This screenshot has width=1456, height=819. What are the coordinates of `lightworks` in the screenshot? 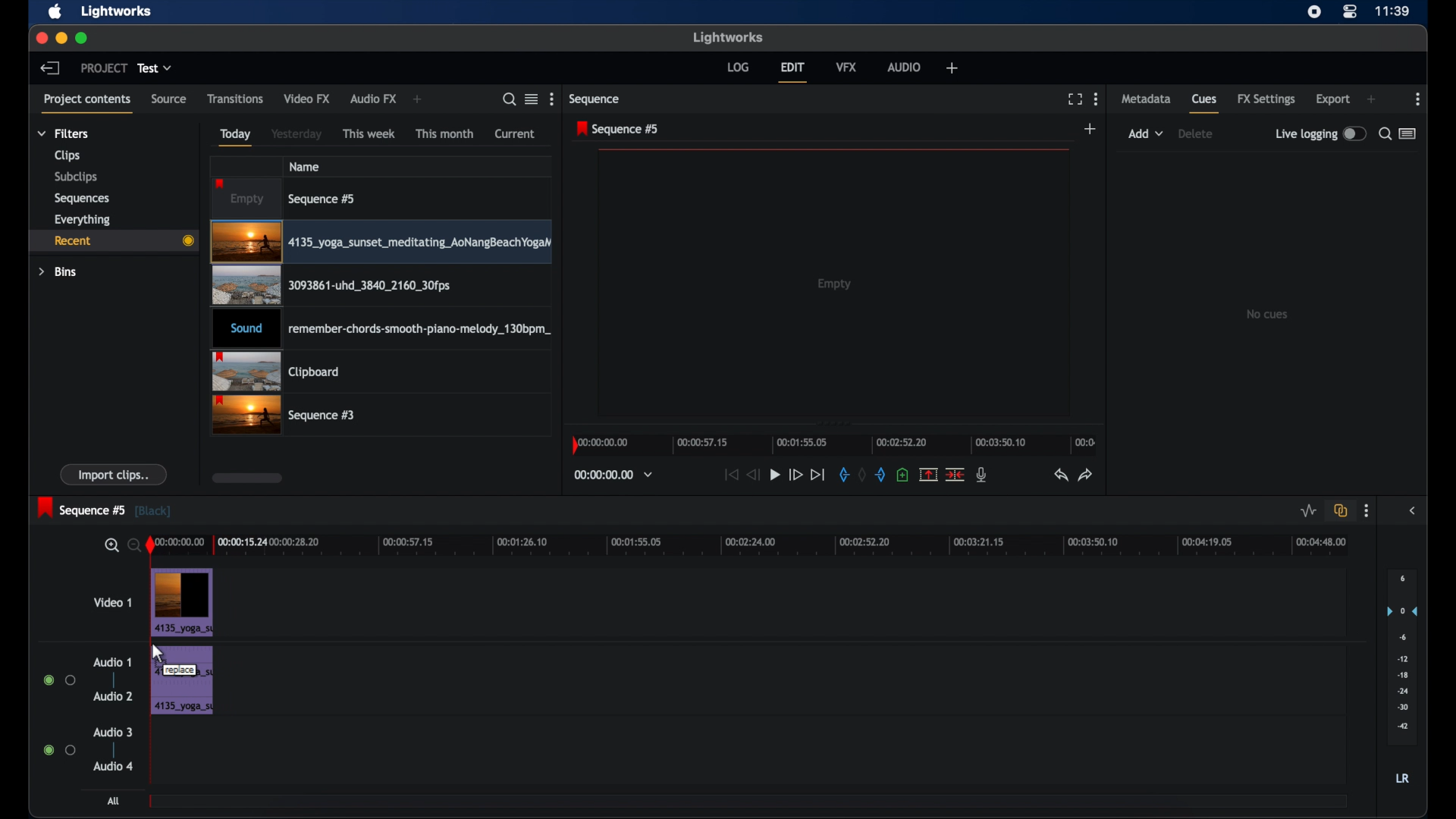 It's located at (730, 38).